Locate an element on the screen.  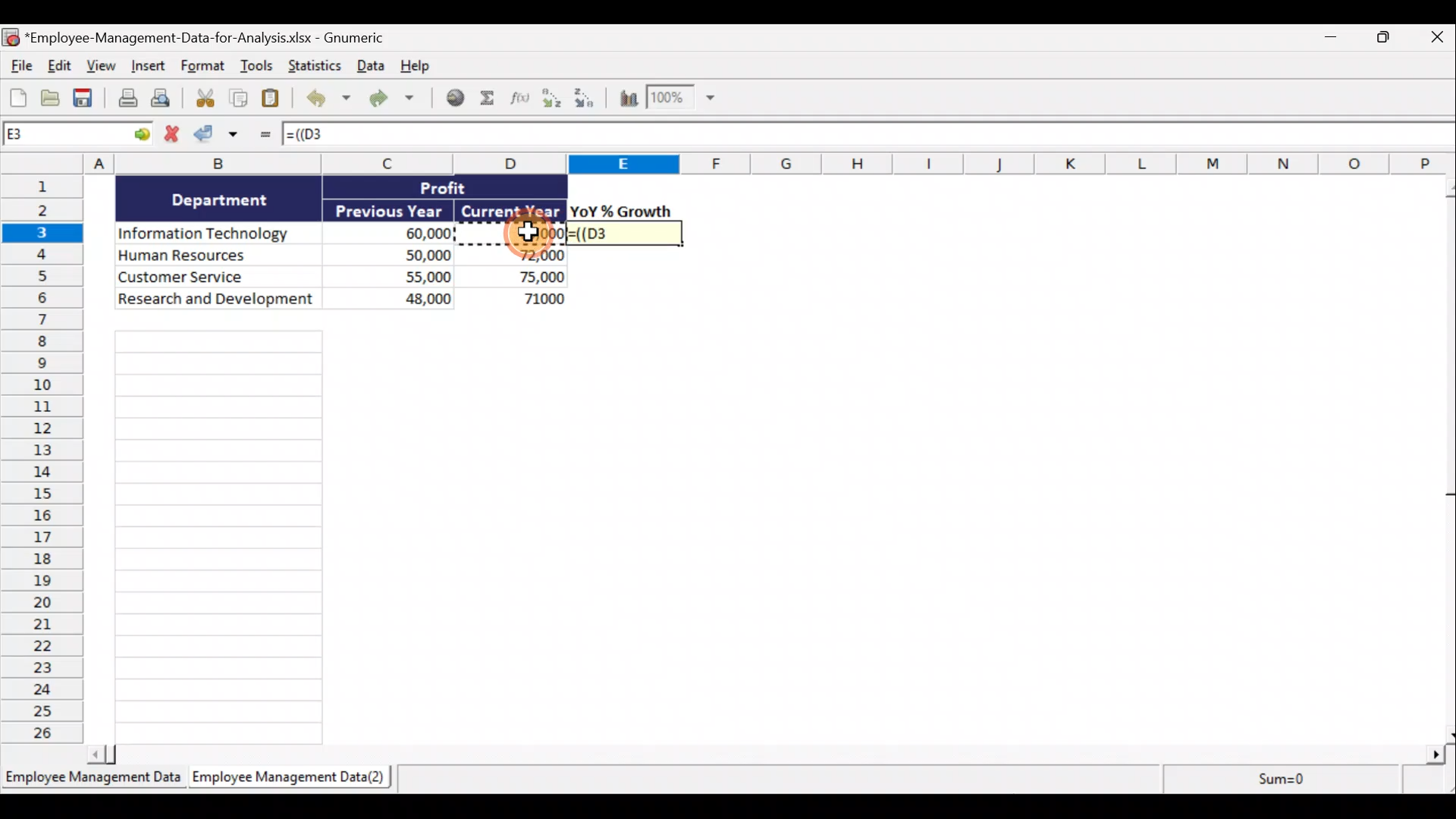
Insert hyperlink is located at coordinates (454, 99).